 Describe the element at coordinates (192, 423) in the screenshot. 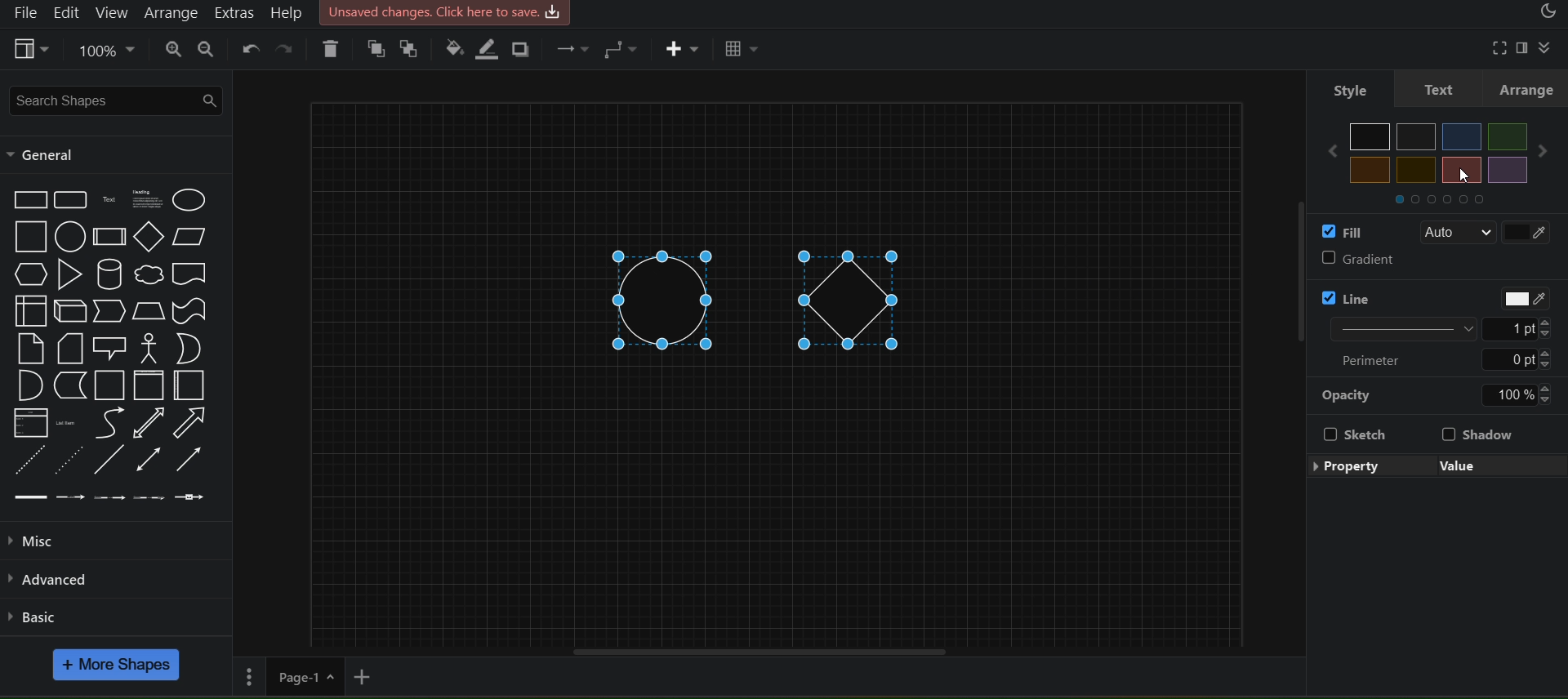

I see `Arrow` at that location.